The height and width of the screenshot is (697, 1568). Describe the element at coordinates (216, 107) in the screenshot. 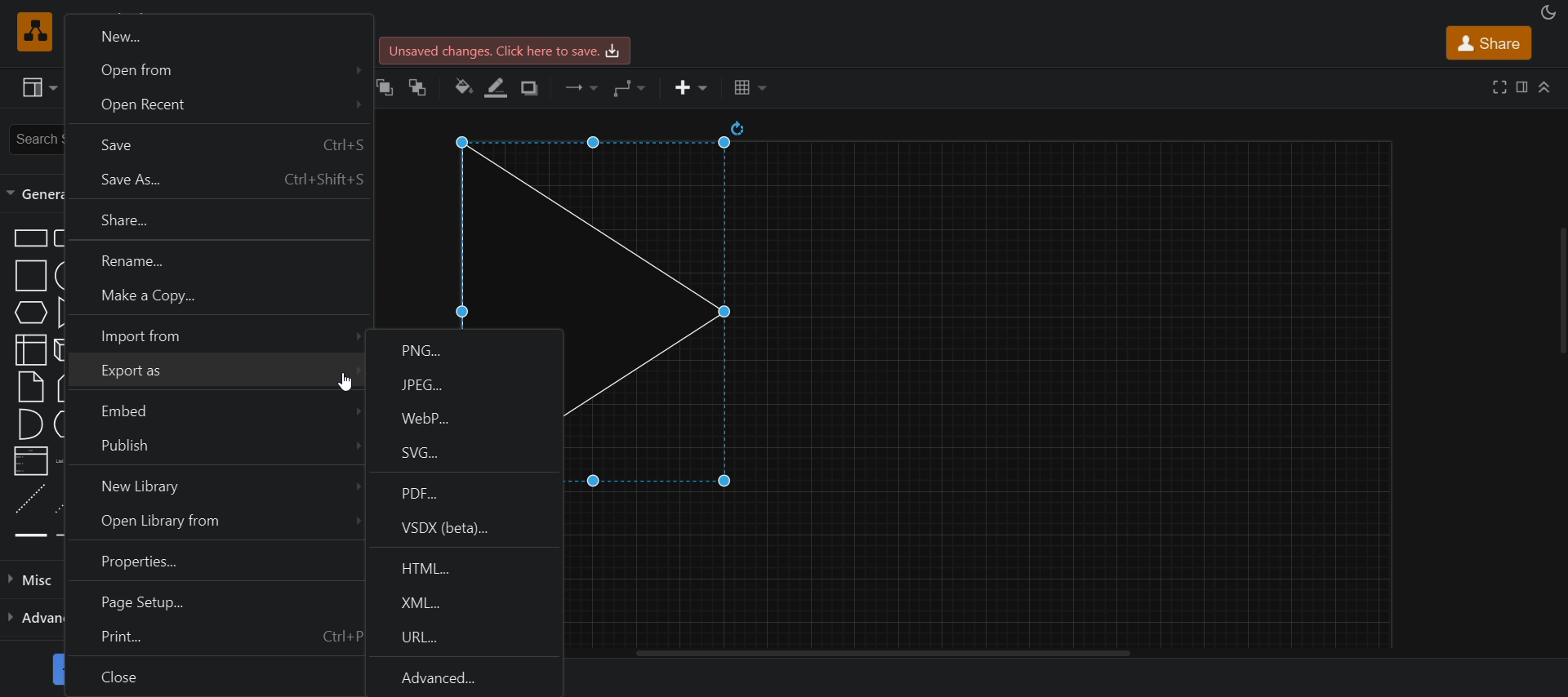

I see `open recent` at that location.